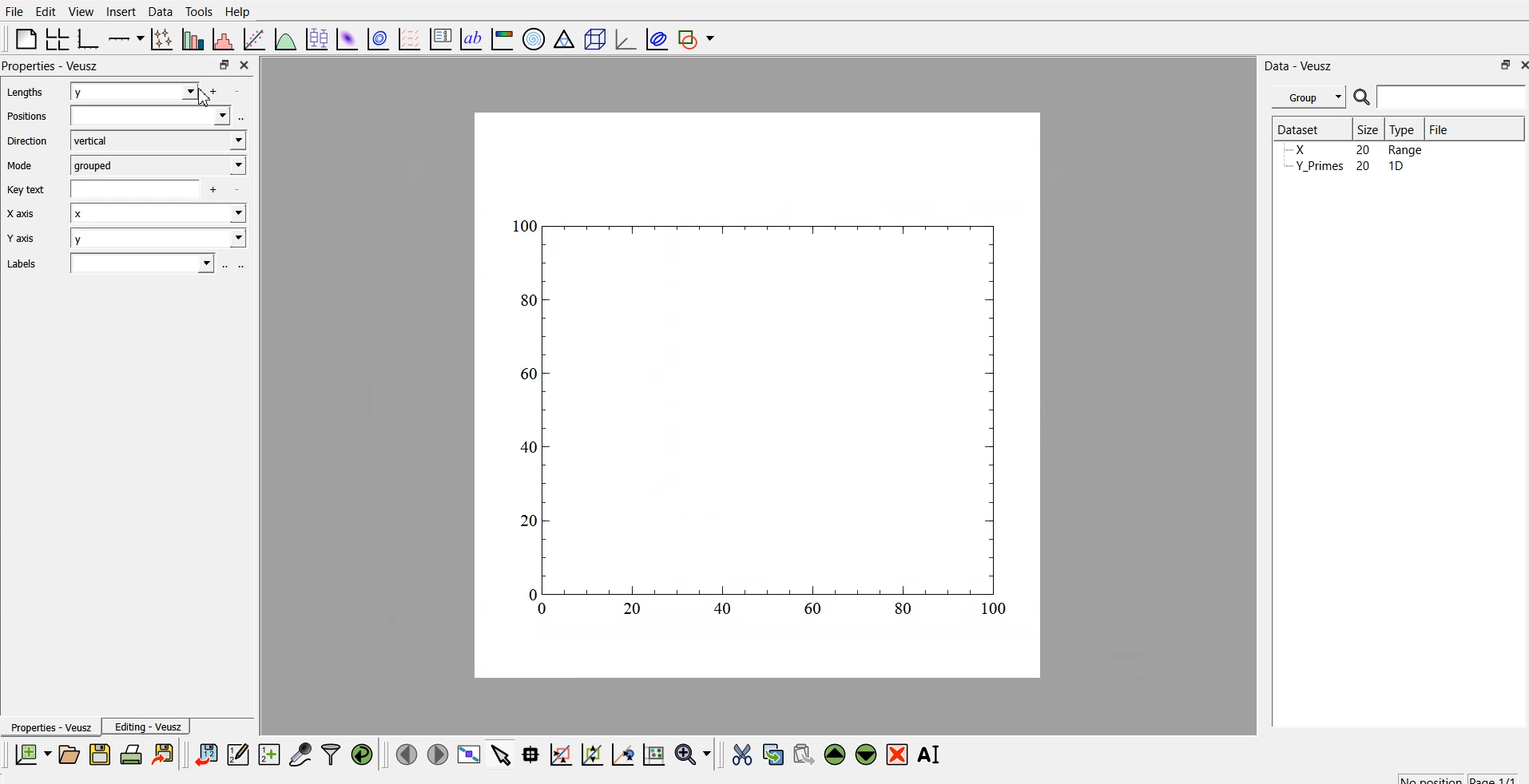 This screenshot has height=784, width=1529. Describe the element at coordinates (1450, 776) in the screenshot. I see `no position page 1/1` at that location.